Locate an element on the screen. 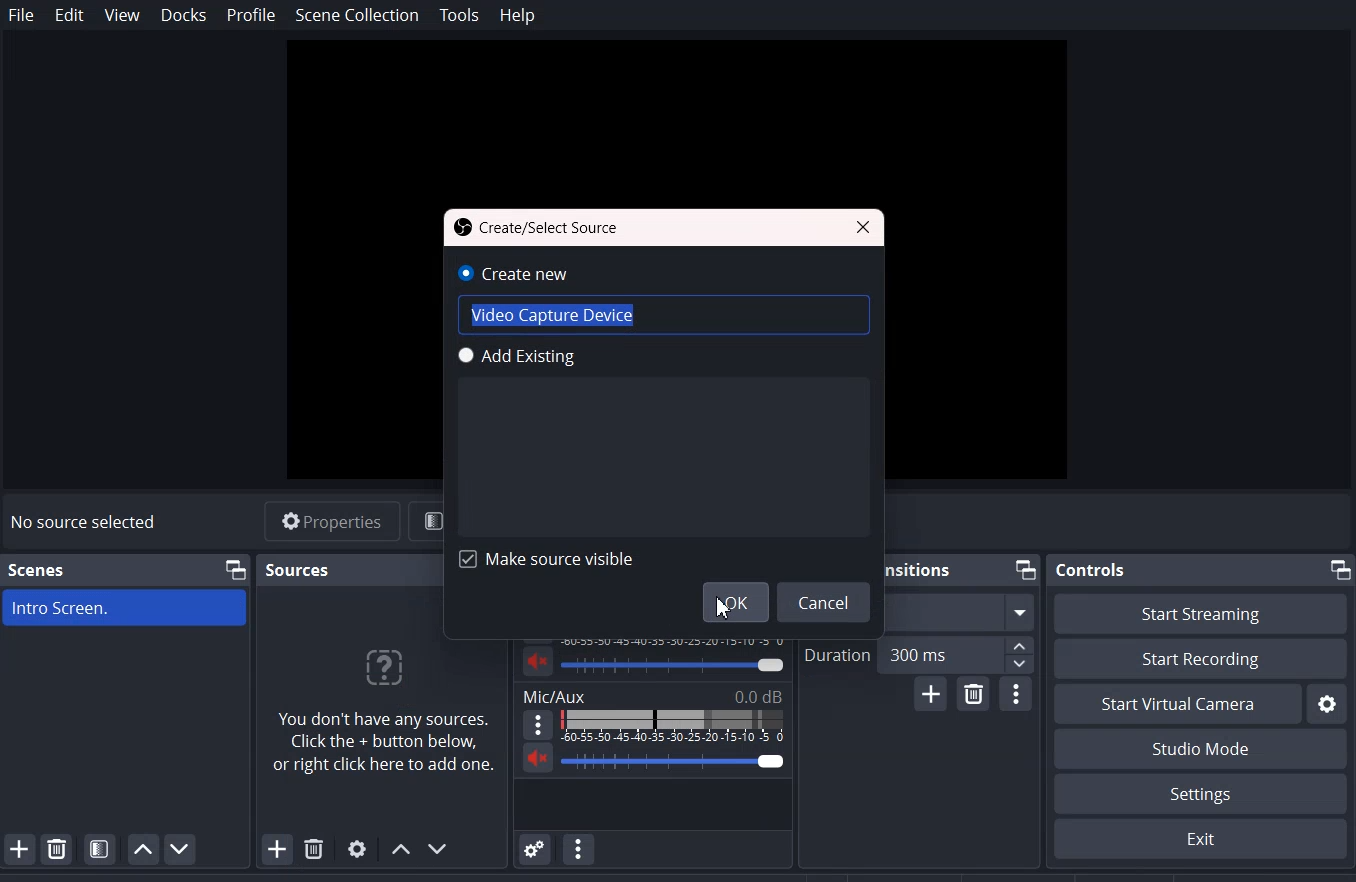  Move Source Up is located at coordinates (399, 849).